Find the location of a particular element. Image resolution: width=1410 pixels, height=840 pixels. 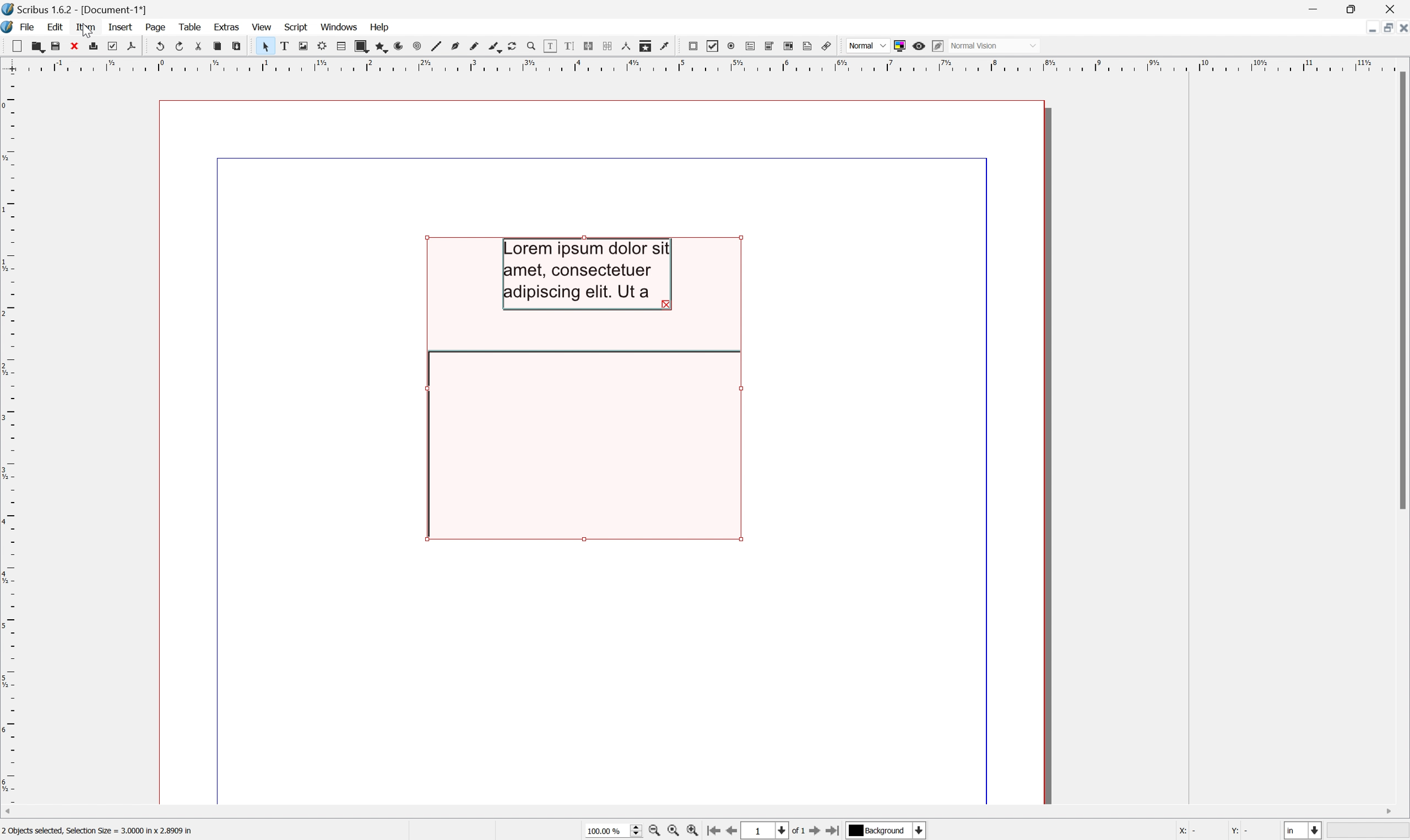

Normal is located at coordinates (866, 44).